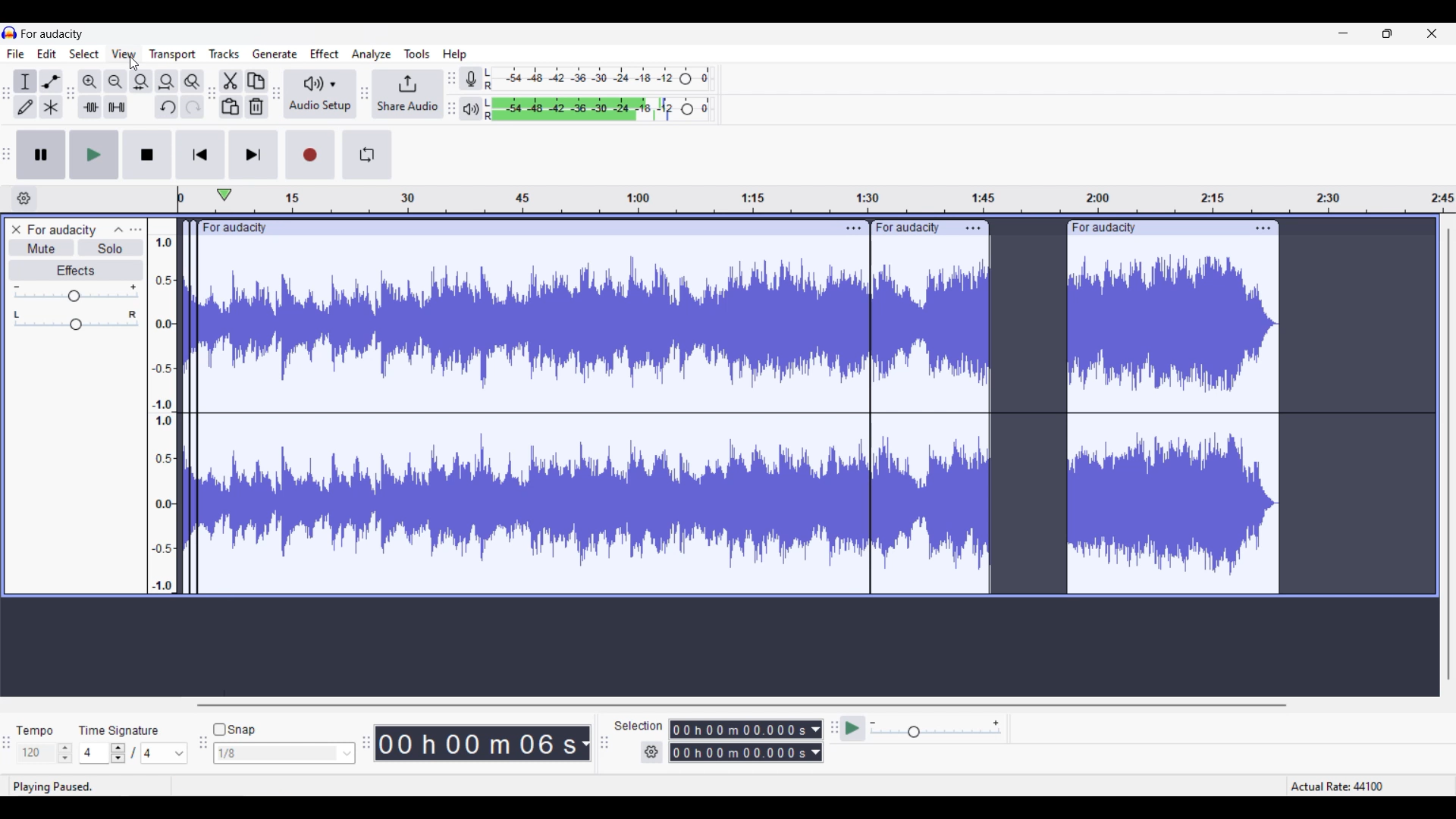 This screenshot has height=819, width=1456. Describe the element at coordinates (168, 82) in the screenshot. I see `Fit project to width` at that location.